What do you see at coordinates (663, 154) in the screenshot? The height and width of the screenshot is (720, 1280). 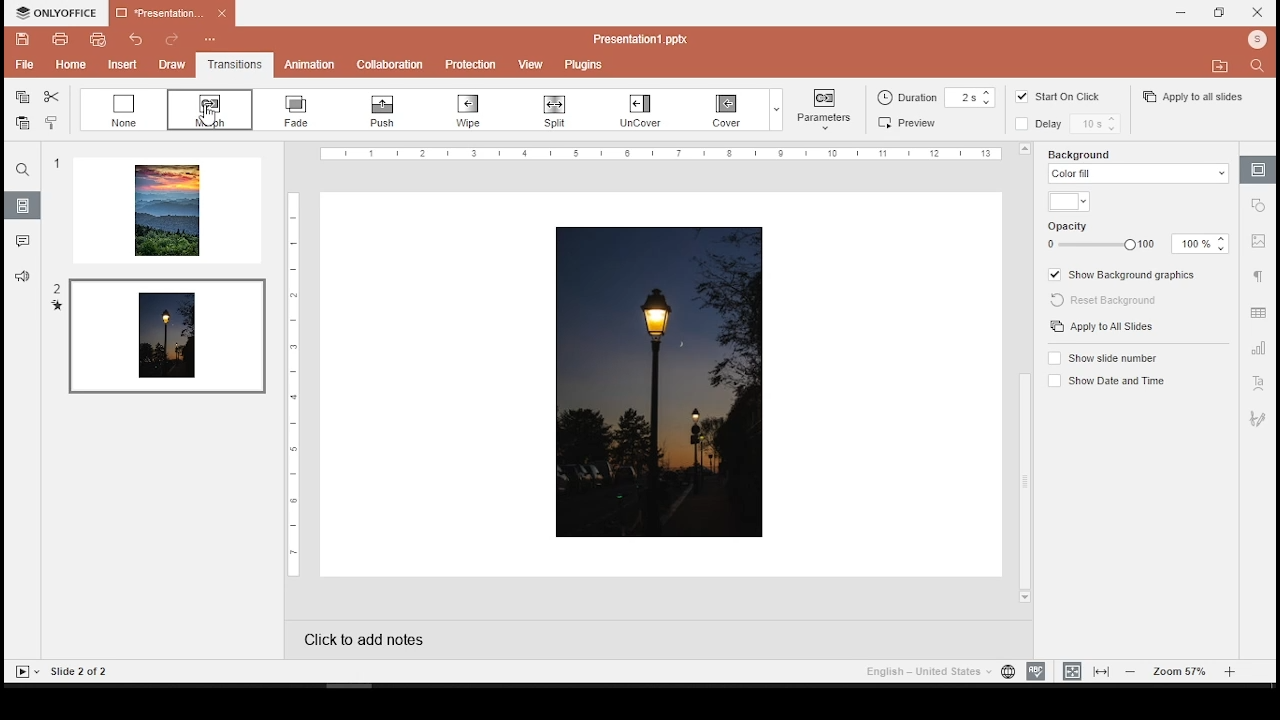 I see `ruler` at bounding box center [663, 154].